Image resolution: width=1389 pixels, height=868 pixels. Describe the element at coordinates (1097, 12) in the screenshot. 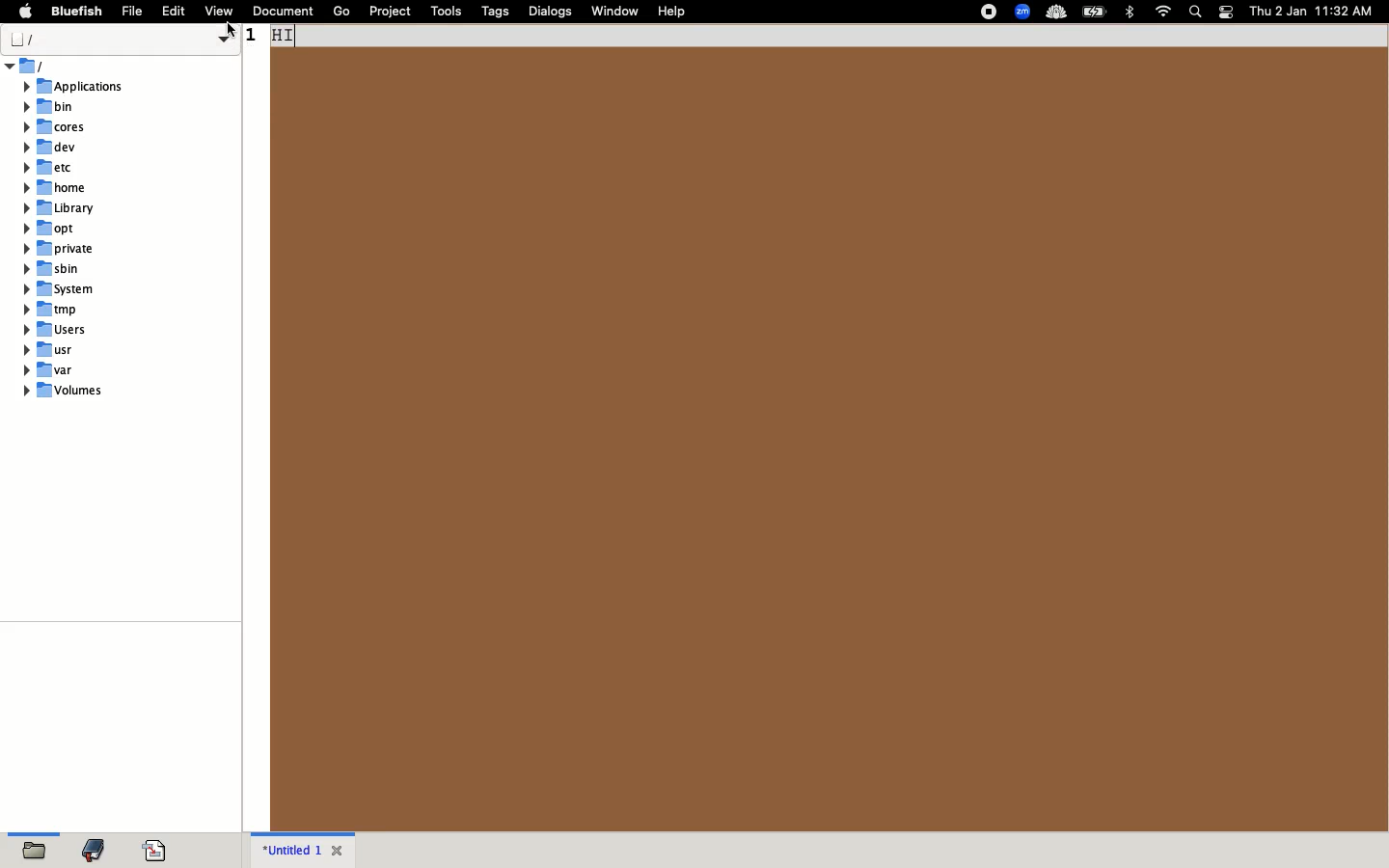

I see `charge` at that location.